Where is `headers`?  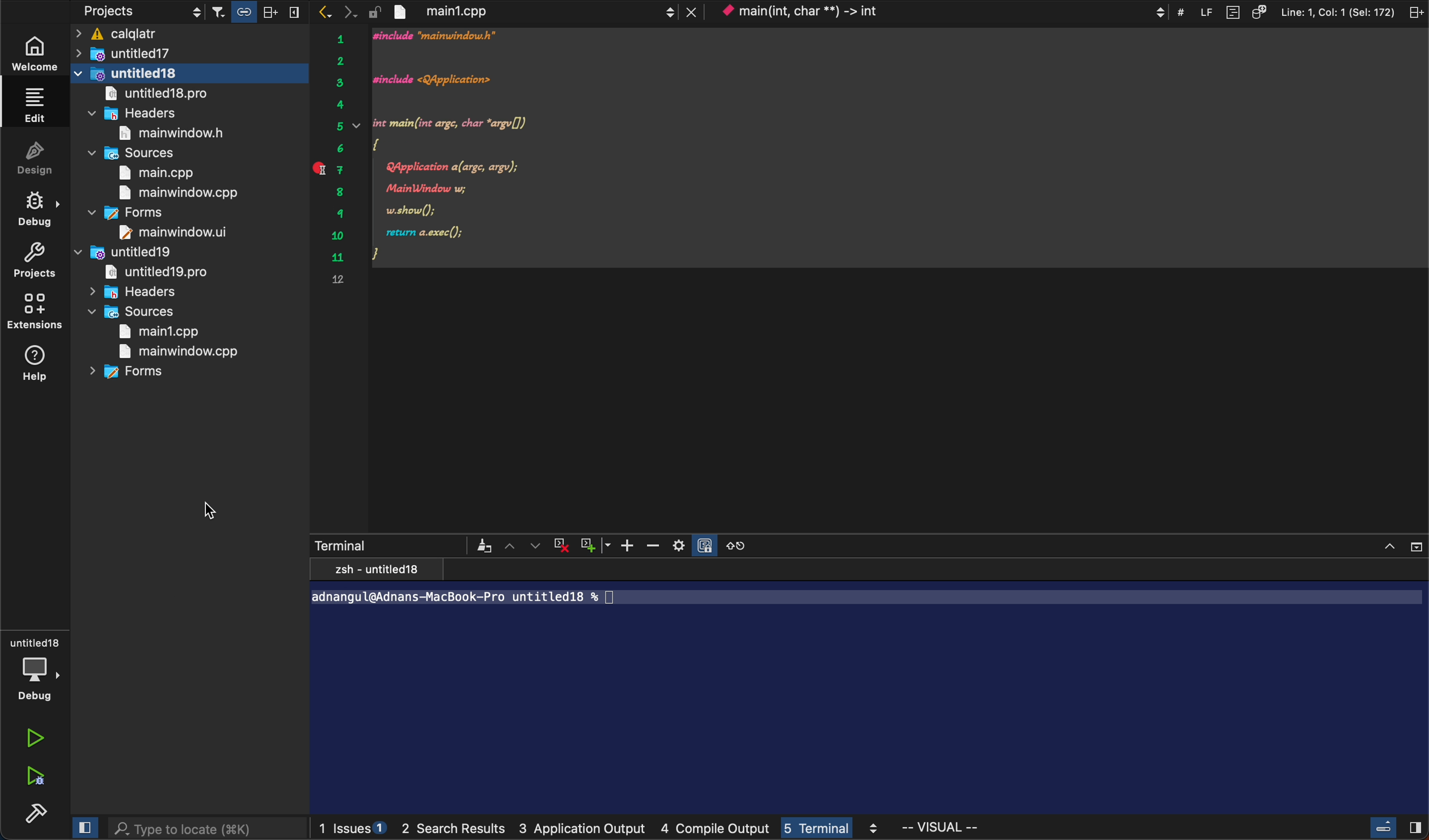
headers is located at coordinates (138, 113).